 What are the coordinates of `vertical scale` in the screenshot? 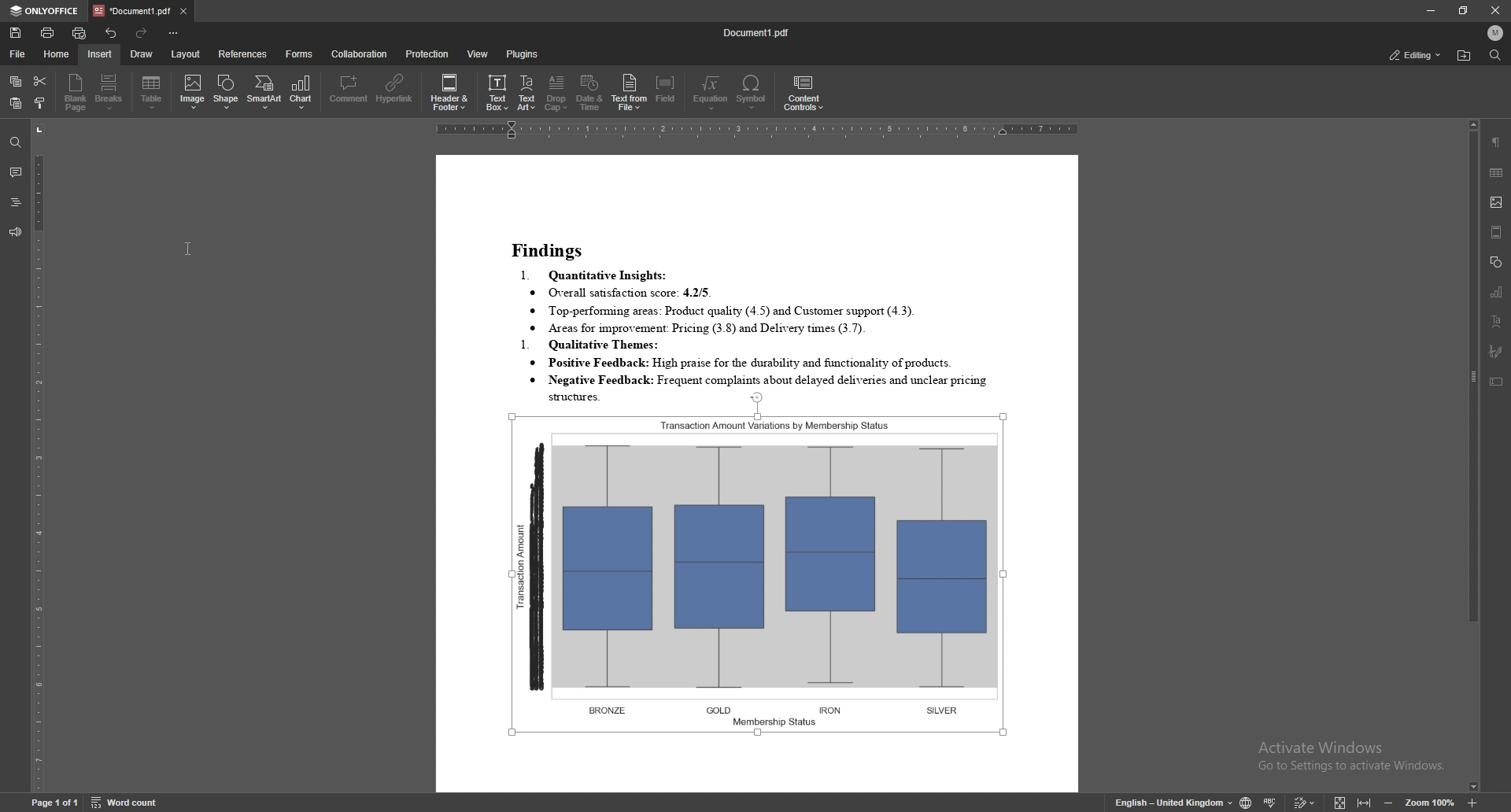 It's located at (38, 456).